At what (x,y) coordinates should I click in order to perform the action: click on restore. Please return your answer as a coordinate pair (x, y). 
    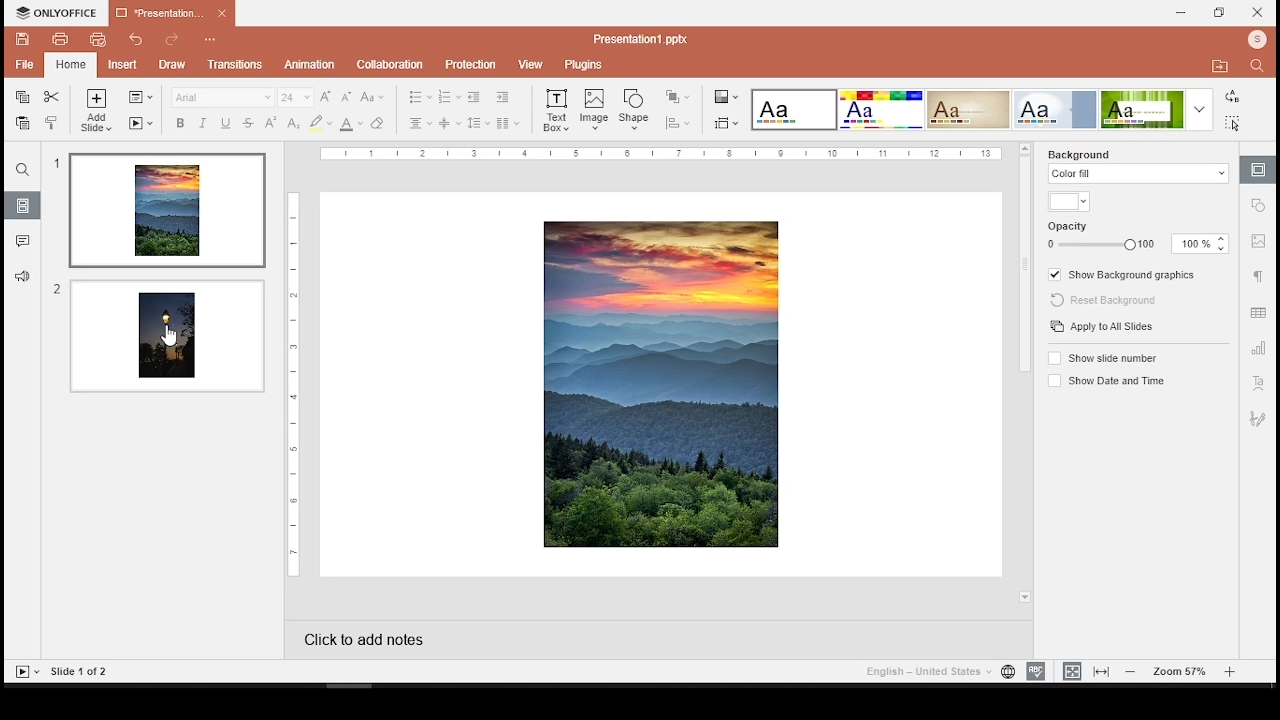
    Looking at the image, I should click on (1220, 13).